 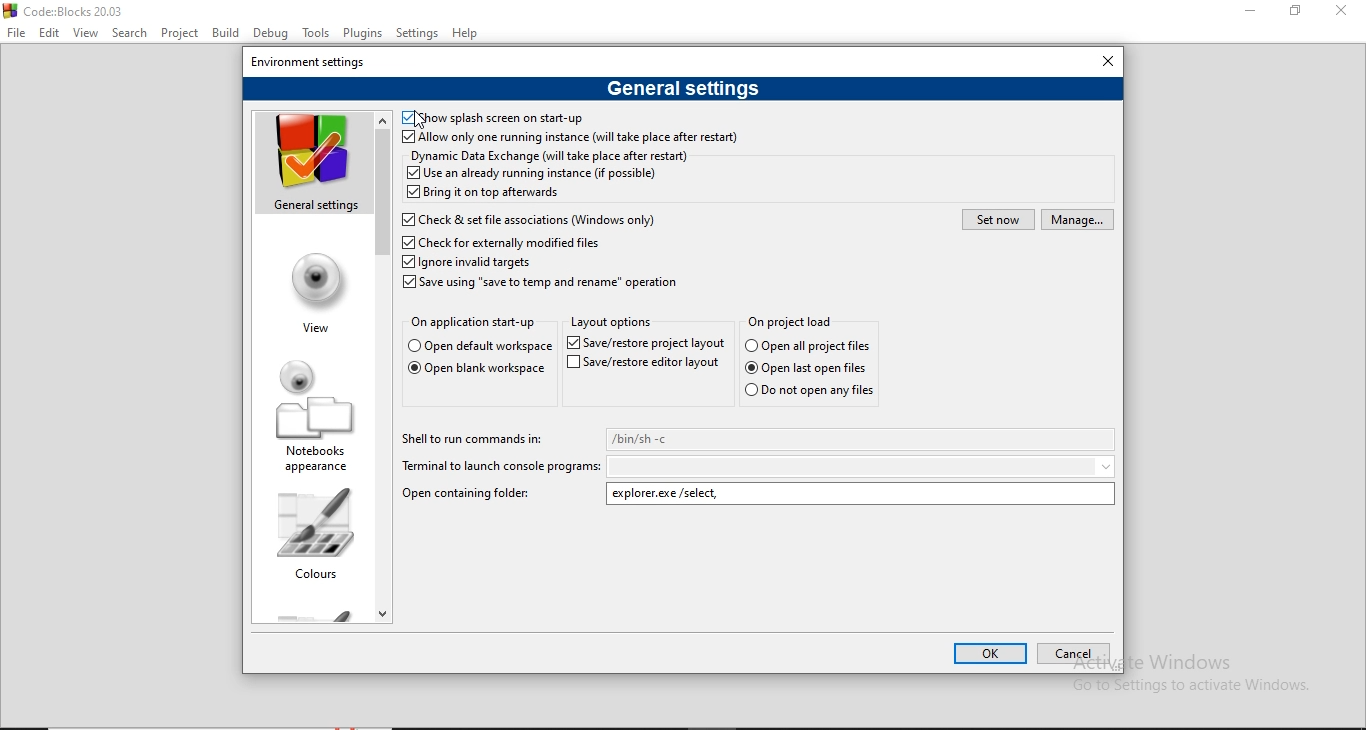 I want to click on Terminal to launch console programs, so click(x=497, y=466).